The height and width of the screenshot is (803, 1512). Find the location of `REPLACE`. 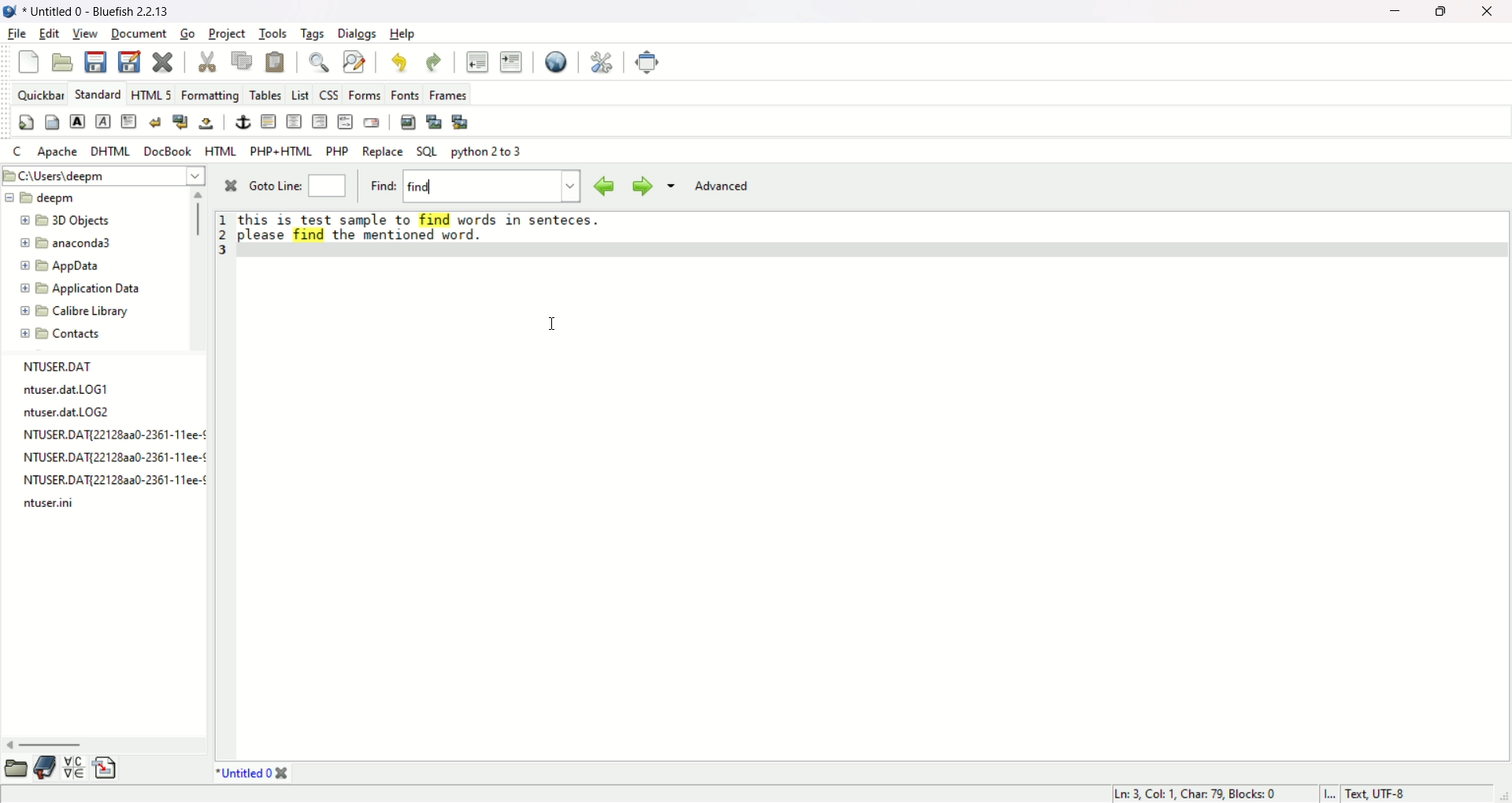

REPLACE is located at coordinates (382, 153).